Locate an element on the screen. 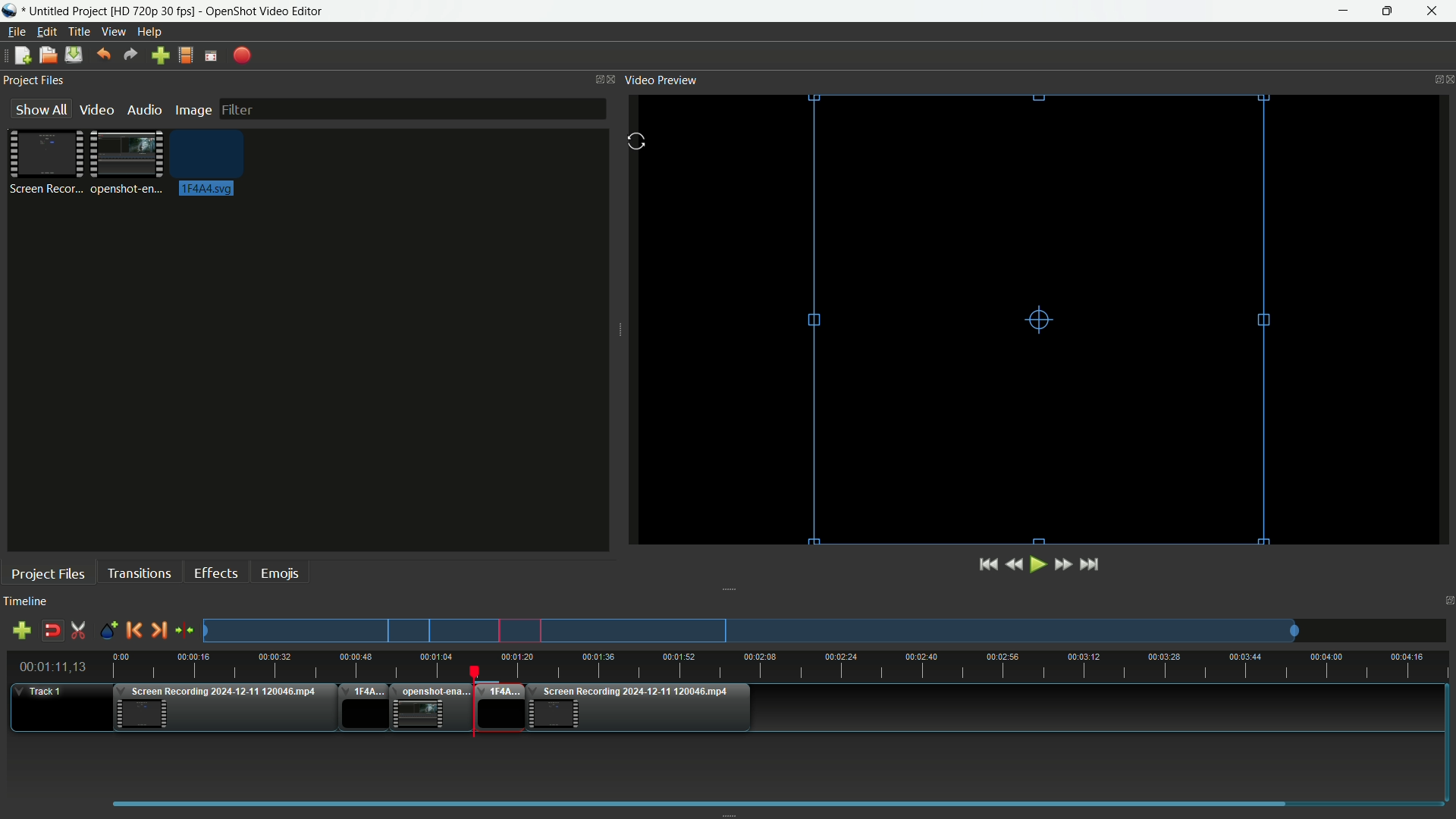  File menu is located at coordinates (14, 33).